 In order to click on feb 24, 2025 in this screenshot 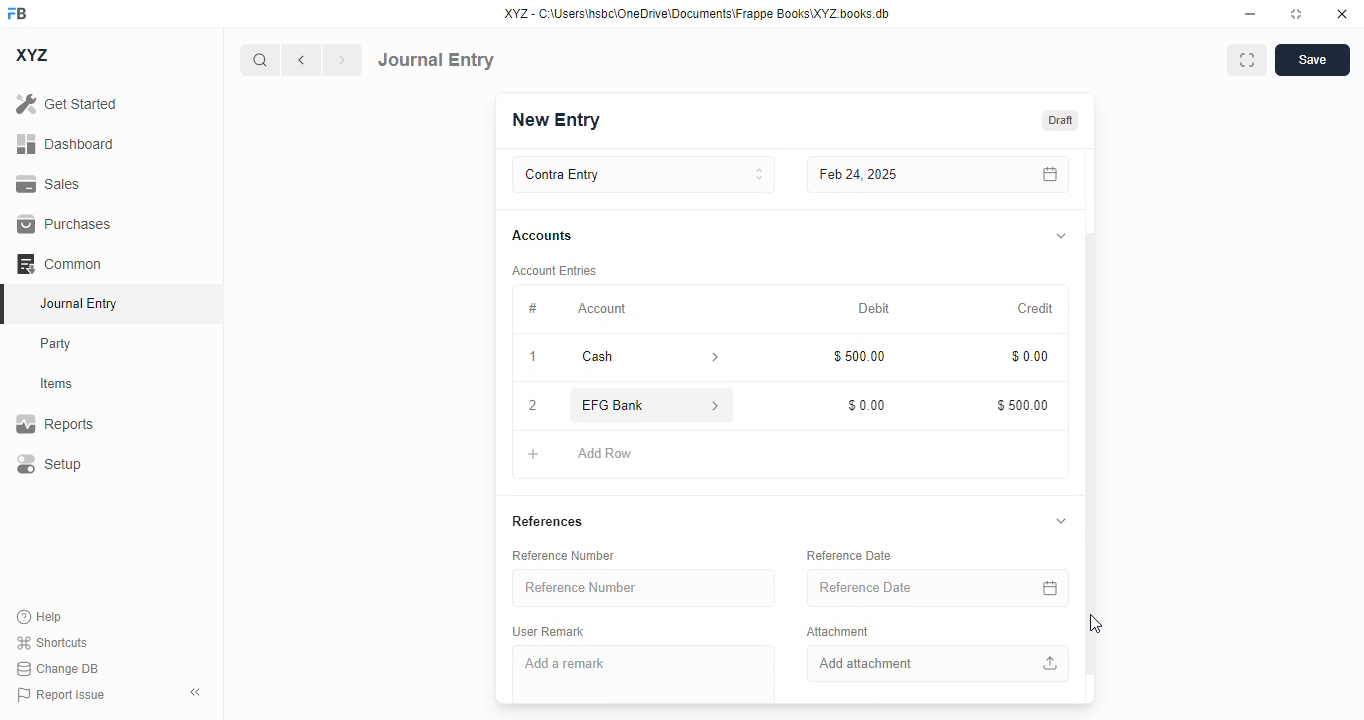, I will do `click(894, 175)`.